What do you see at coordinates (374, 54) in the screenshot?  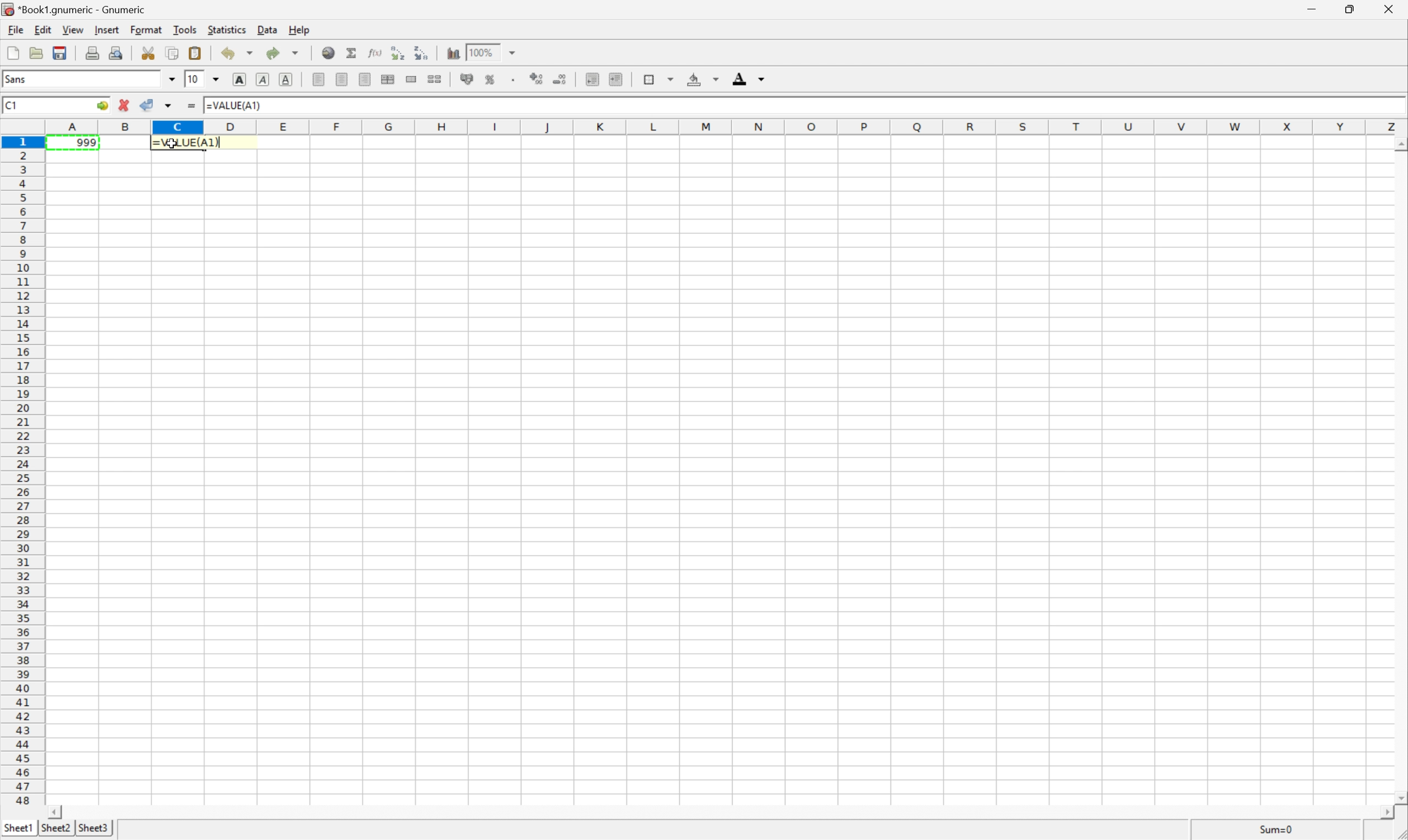 I see `edit function in current cell` at bounding box center [374, 54].